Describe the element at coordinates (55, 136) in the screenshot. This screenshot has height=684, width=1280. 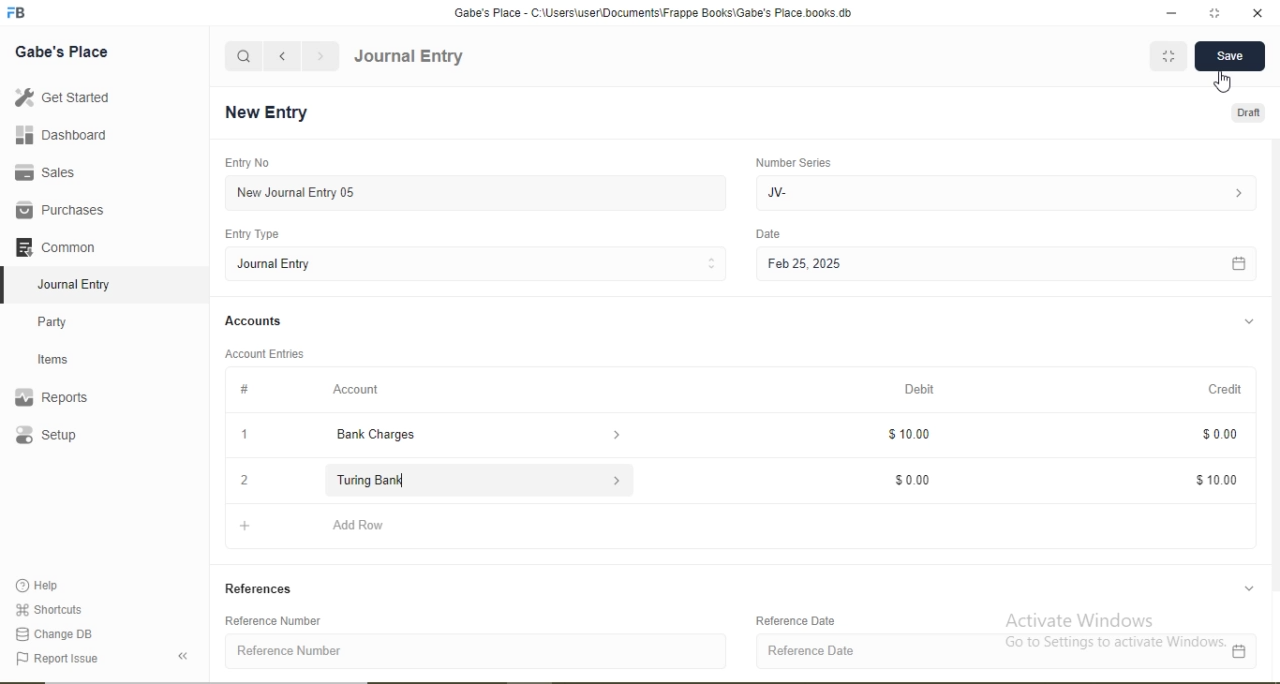
I see `Dashboard` at that location.